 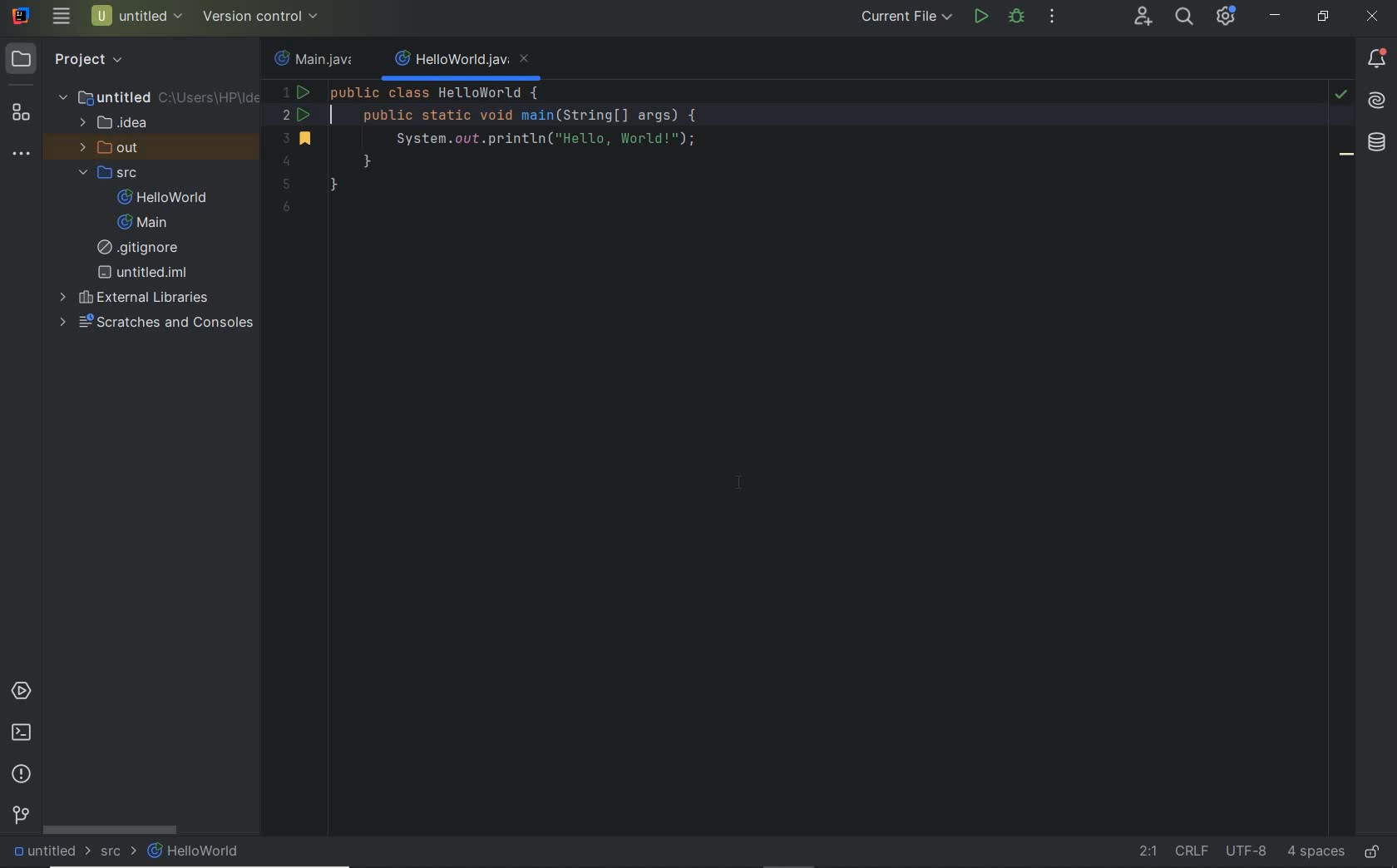 I want to click on untitled, so click(x=143, y=273).